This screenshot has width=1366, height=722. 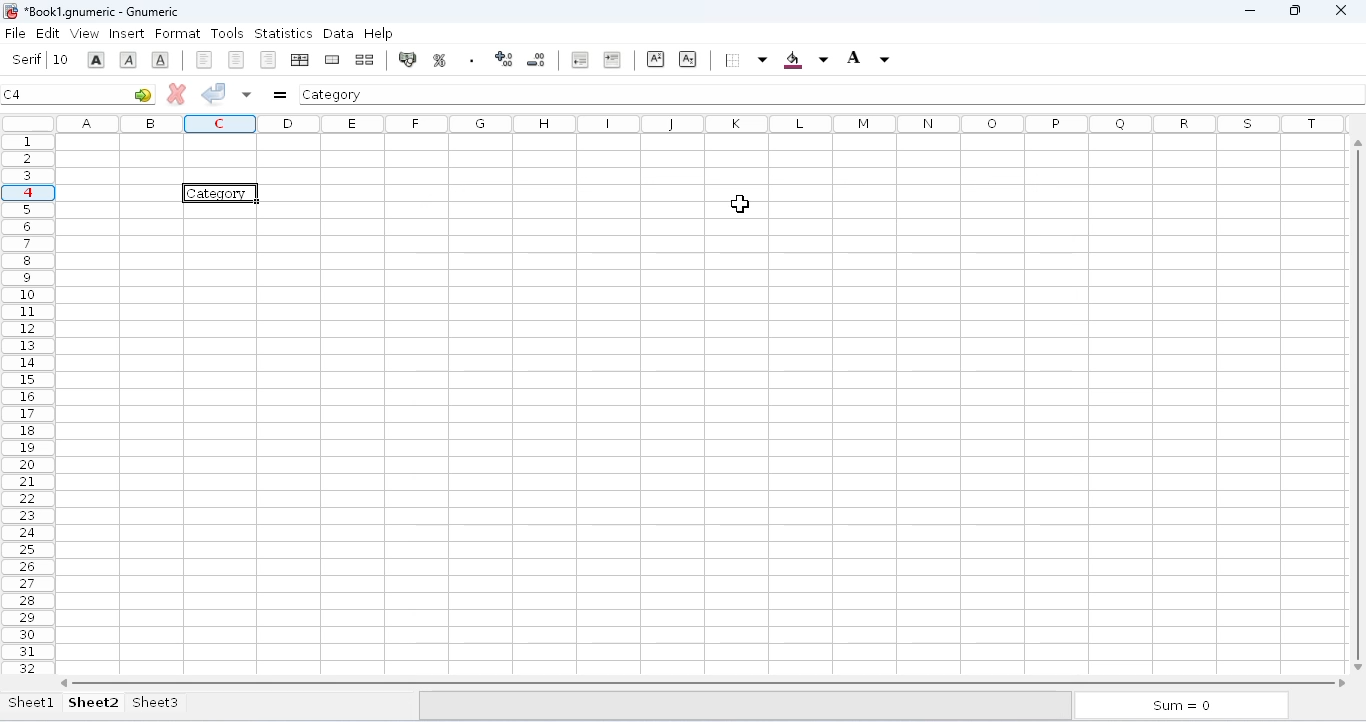 What do you see at coordinates (704, 681) in the screenshot?
I see `horizontal scroll bar` at bounding box center [704, 681].